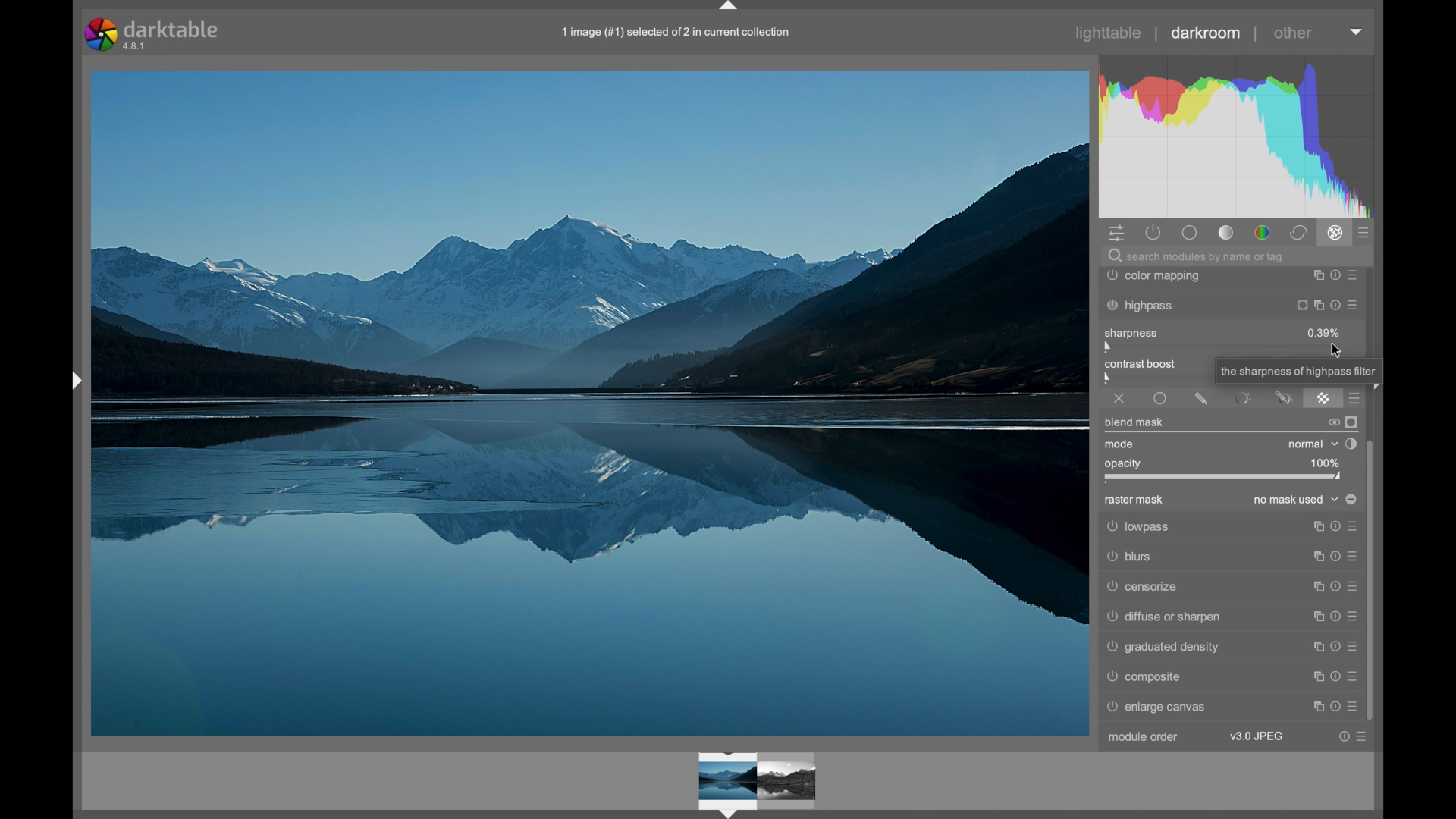 The width and height of the screenshot is (1456, 819). What do you see at coordinates (1225, 347) in the screenshot?
I see `slider` at bounding box center [1225, 347].